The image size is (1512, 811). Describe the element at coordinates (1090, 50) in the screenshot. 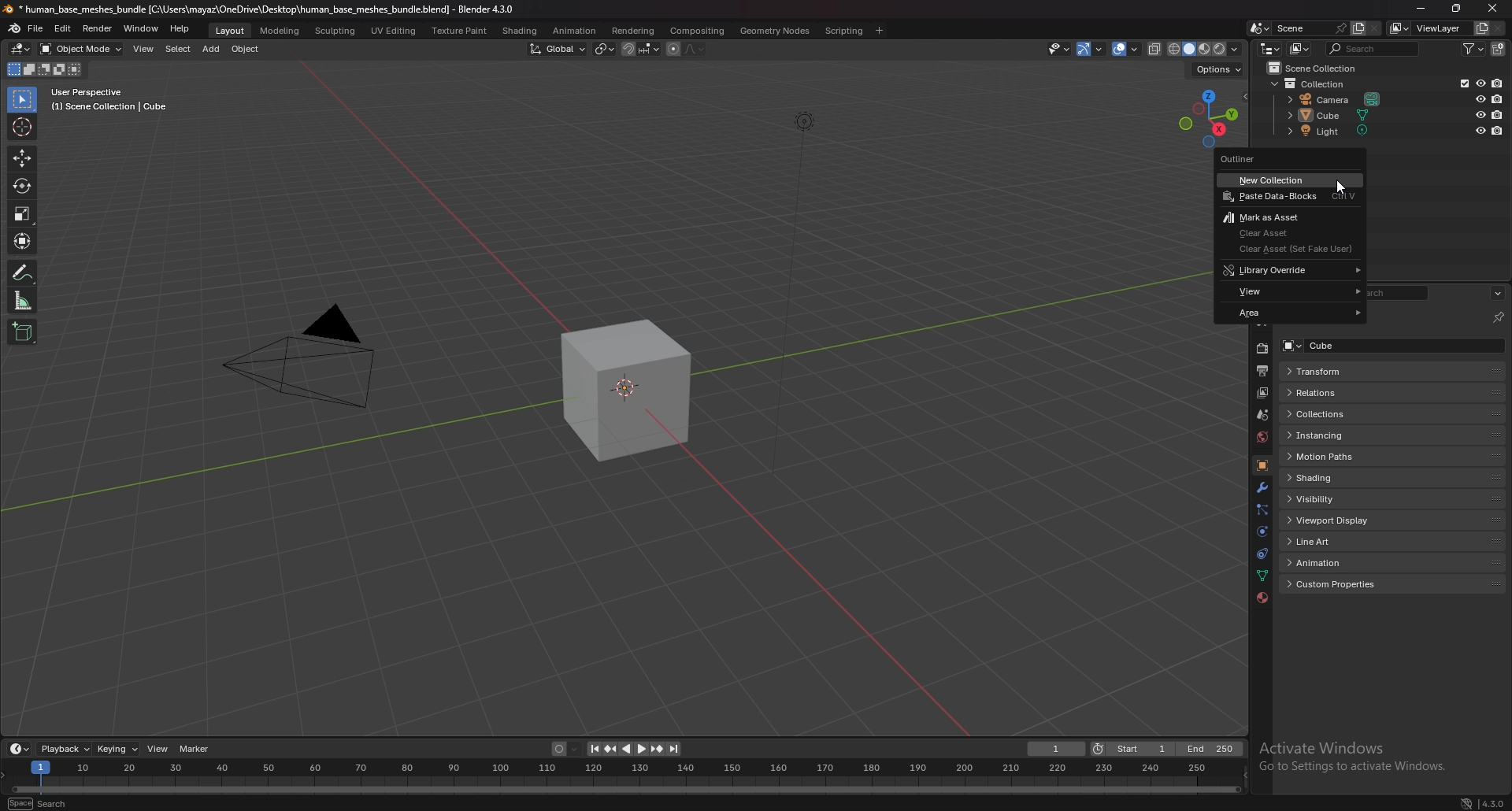

I see `show gizmo` at that location.